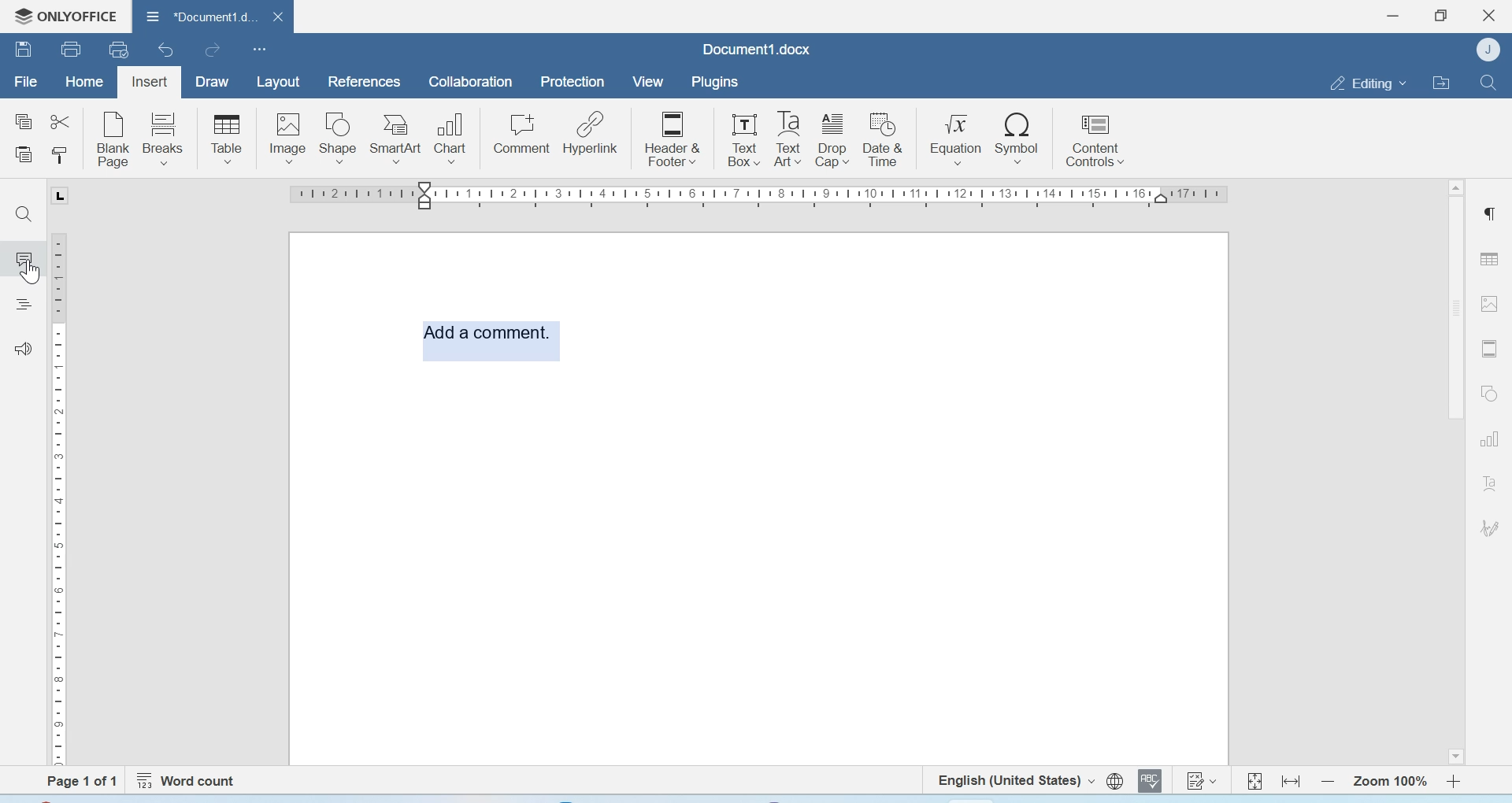 The height and width of the screenshot is (803, 1512). What do you see at coordinates (339, 139) in the screenshot?
I see `Shape` at bounding box center [339, 139].